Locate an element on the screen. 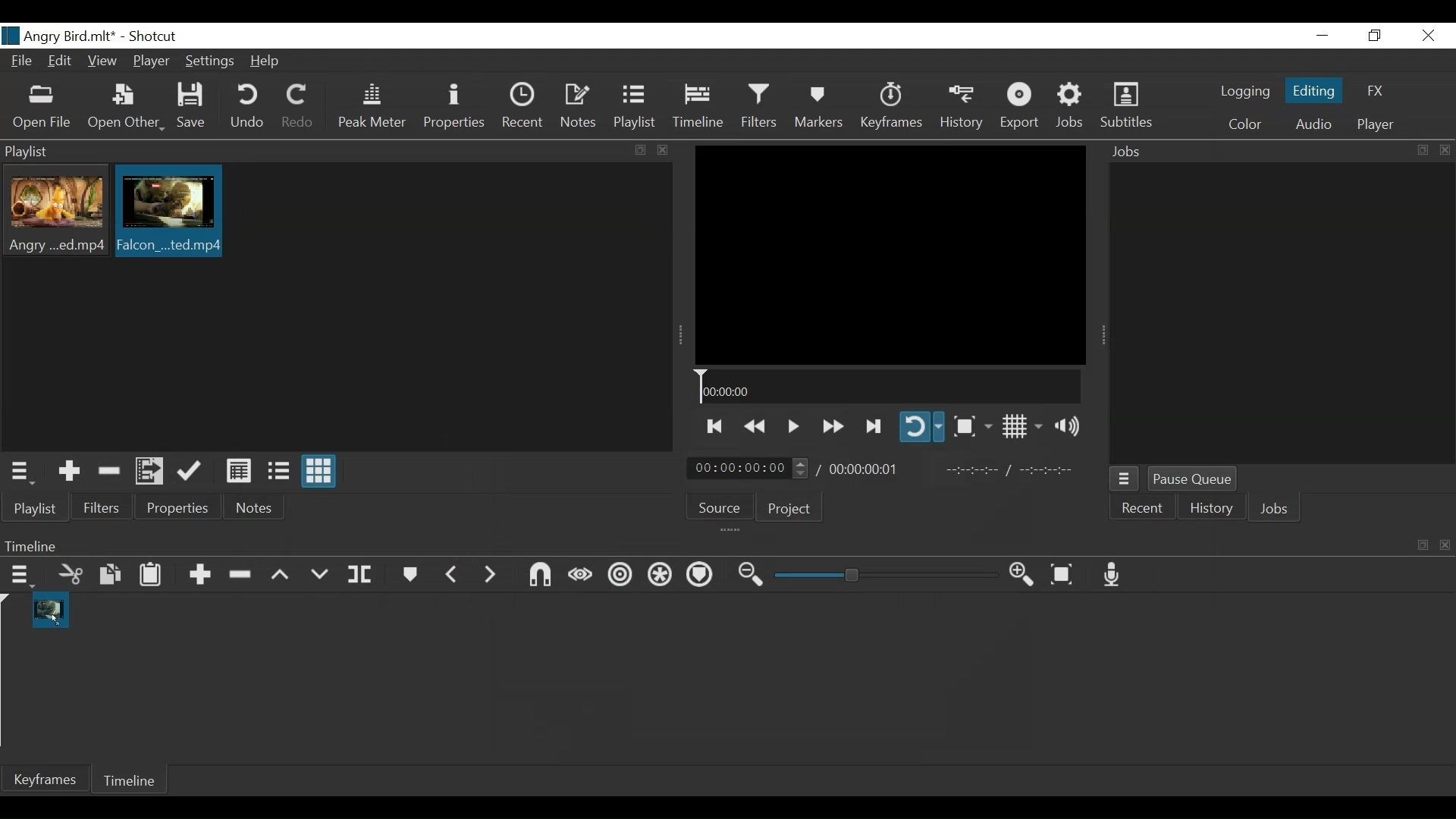  Color is located at coordinates (1241, 124).